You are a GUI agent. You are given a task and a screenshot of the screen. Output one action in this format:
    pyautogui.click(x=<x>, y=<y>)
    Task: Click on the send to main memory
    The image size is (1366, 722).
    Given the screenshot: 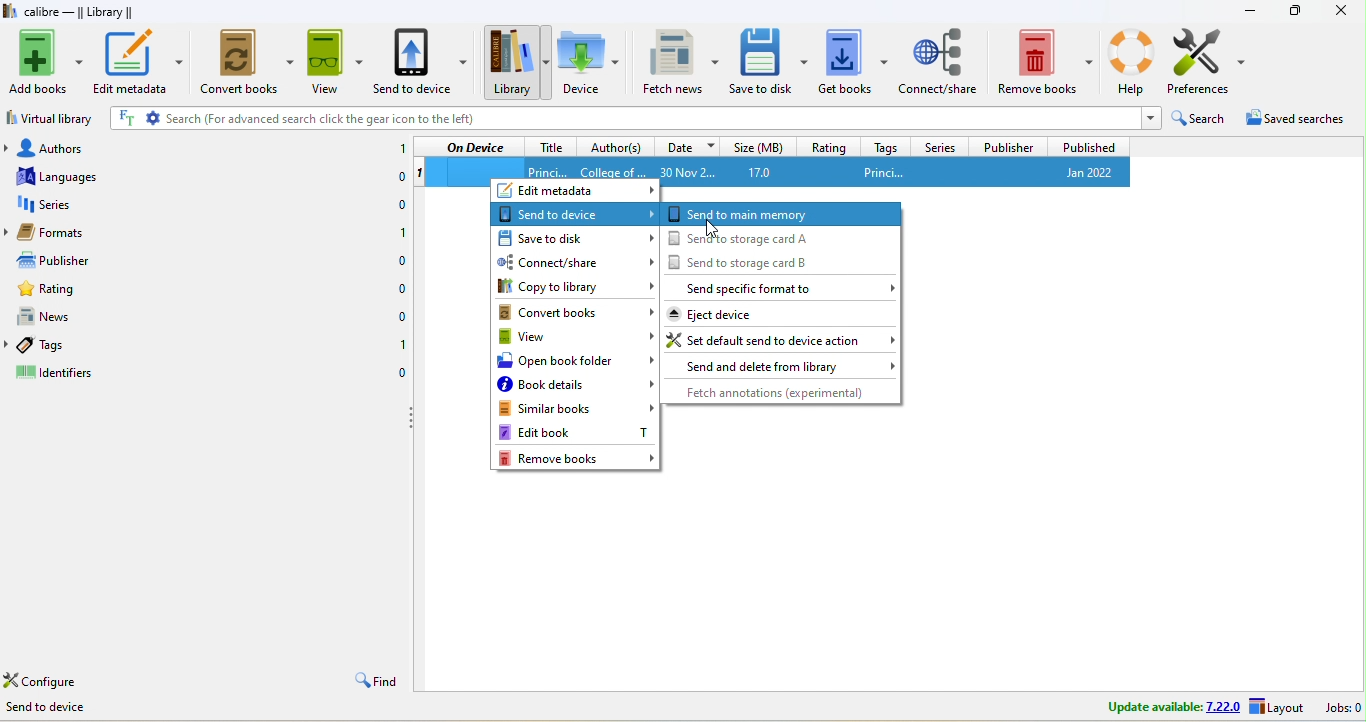 What is the action you would take?
    pyautogui.click(x=782, y=214)
    